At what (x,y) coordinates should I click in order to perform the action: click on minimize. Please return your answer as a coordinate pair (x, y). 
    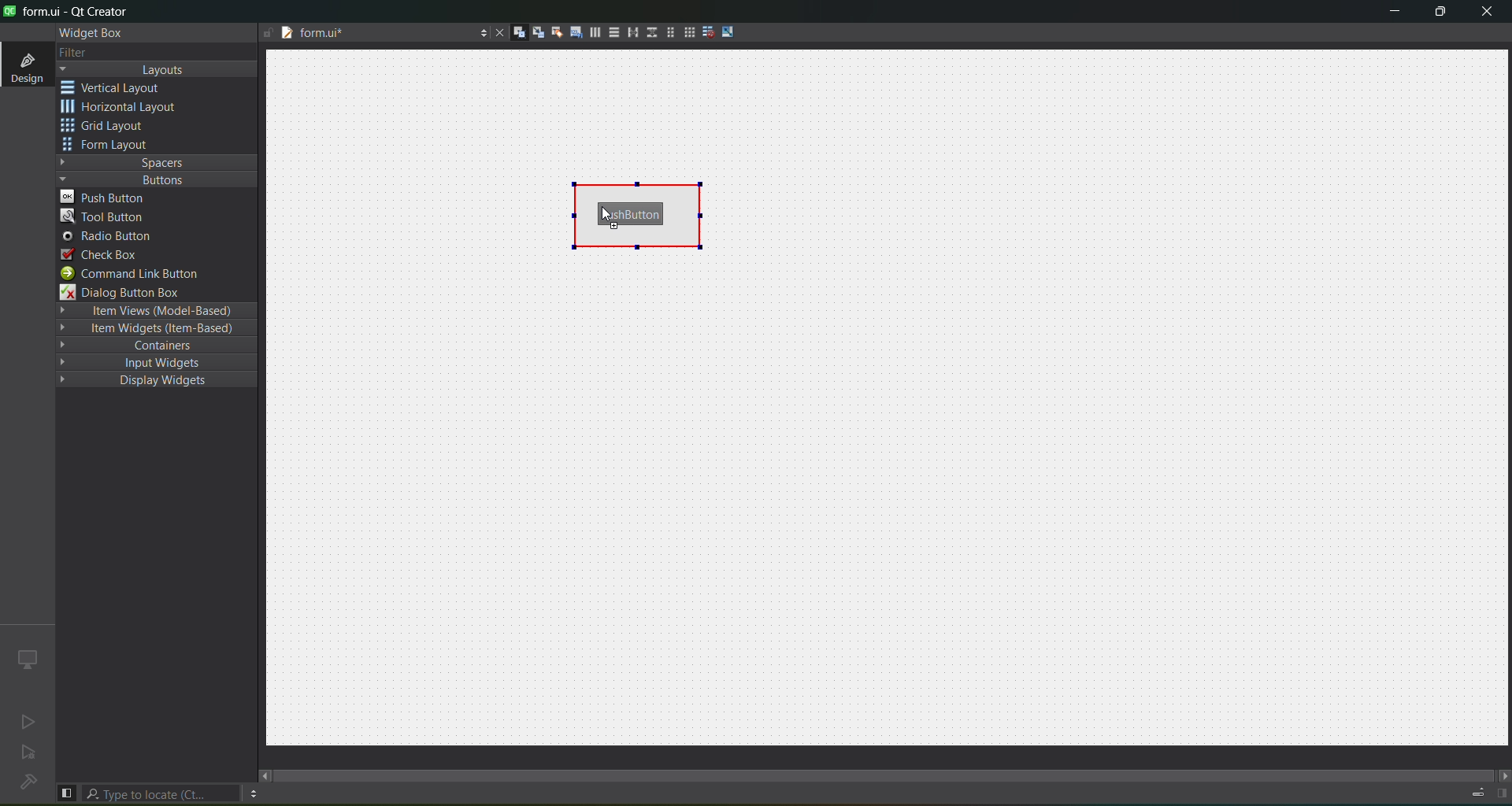
    Looking at the image, I should click on (1389, 13).